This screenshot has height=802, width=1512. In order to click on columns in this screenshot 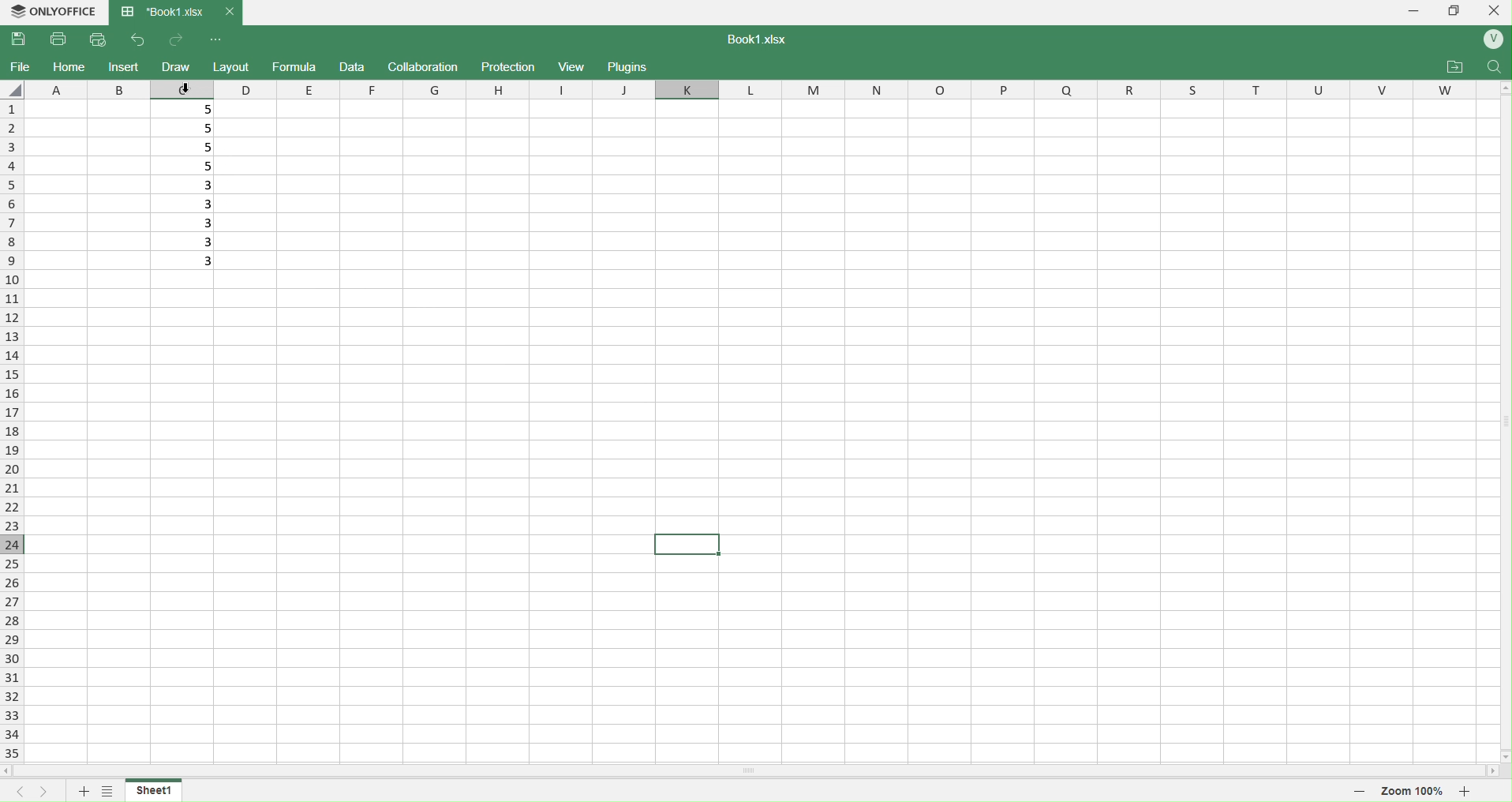, I will do `click(750, 87)`.